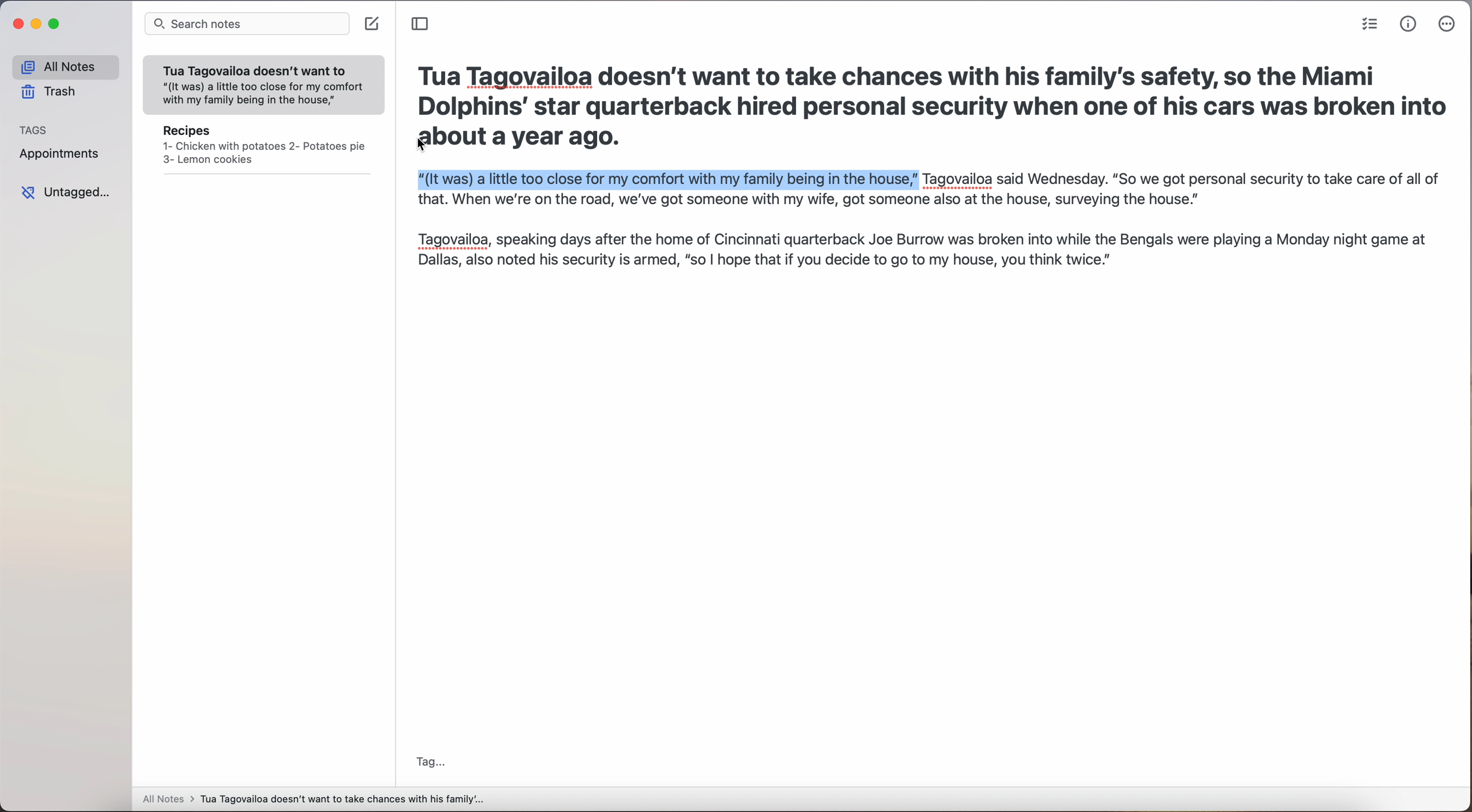 This screenshot has width=1472, height=812. Describe the element at coordinates (264, 149) in the screenshot. I see `Recipes note` at that location.